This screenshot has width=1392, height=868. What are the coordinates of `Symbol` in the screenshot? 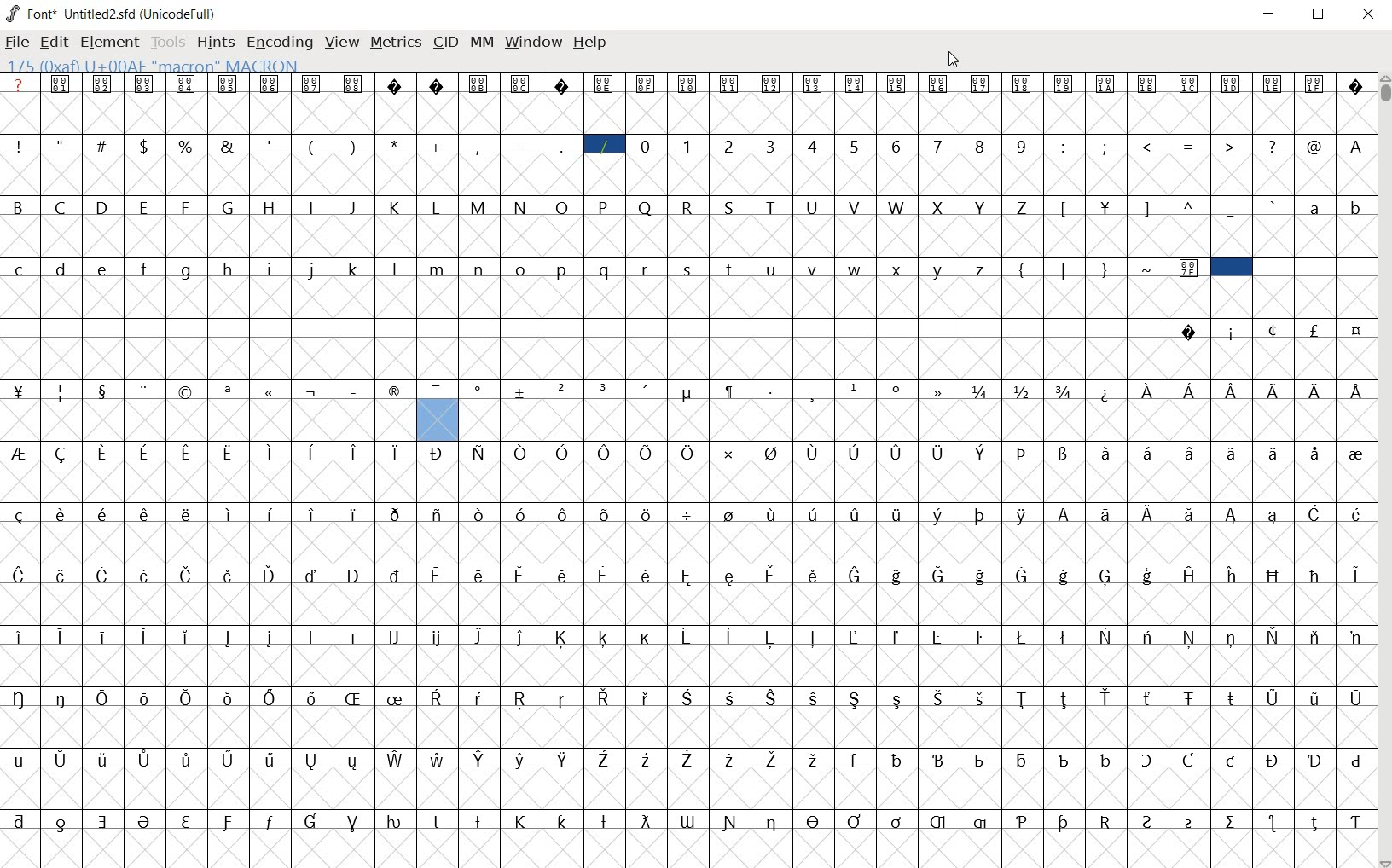 It's located at (479, 575).